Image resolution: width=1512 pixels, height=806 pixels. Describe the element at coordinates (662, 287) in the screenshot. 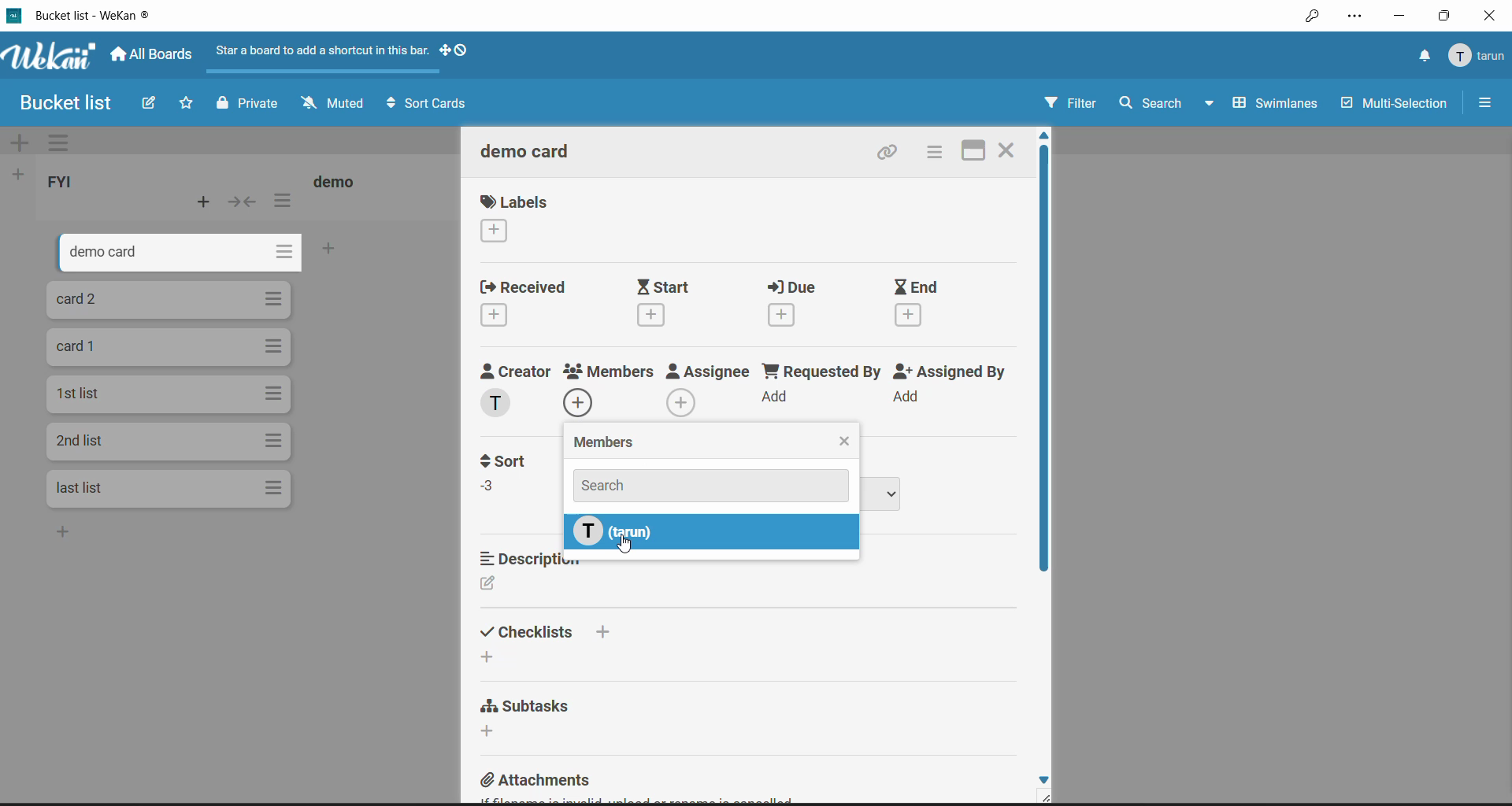

I see `start` at that location.